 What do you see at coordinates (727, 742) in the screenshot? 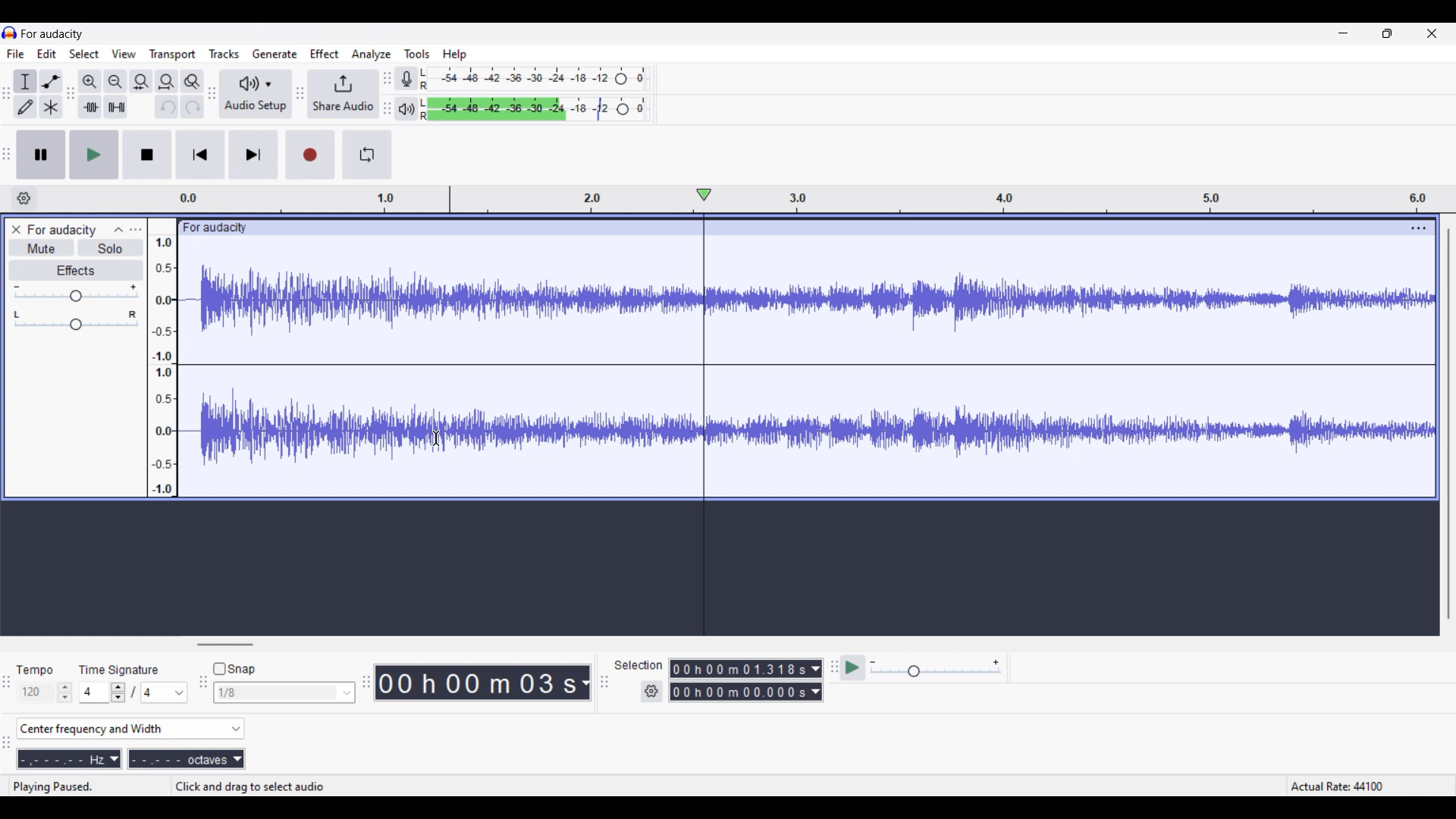
I see `Spectral selection toolbar added to interface` at bounding box center [727, 742].